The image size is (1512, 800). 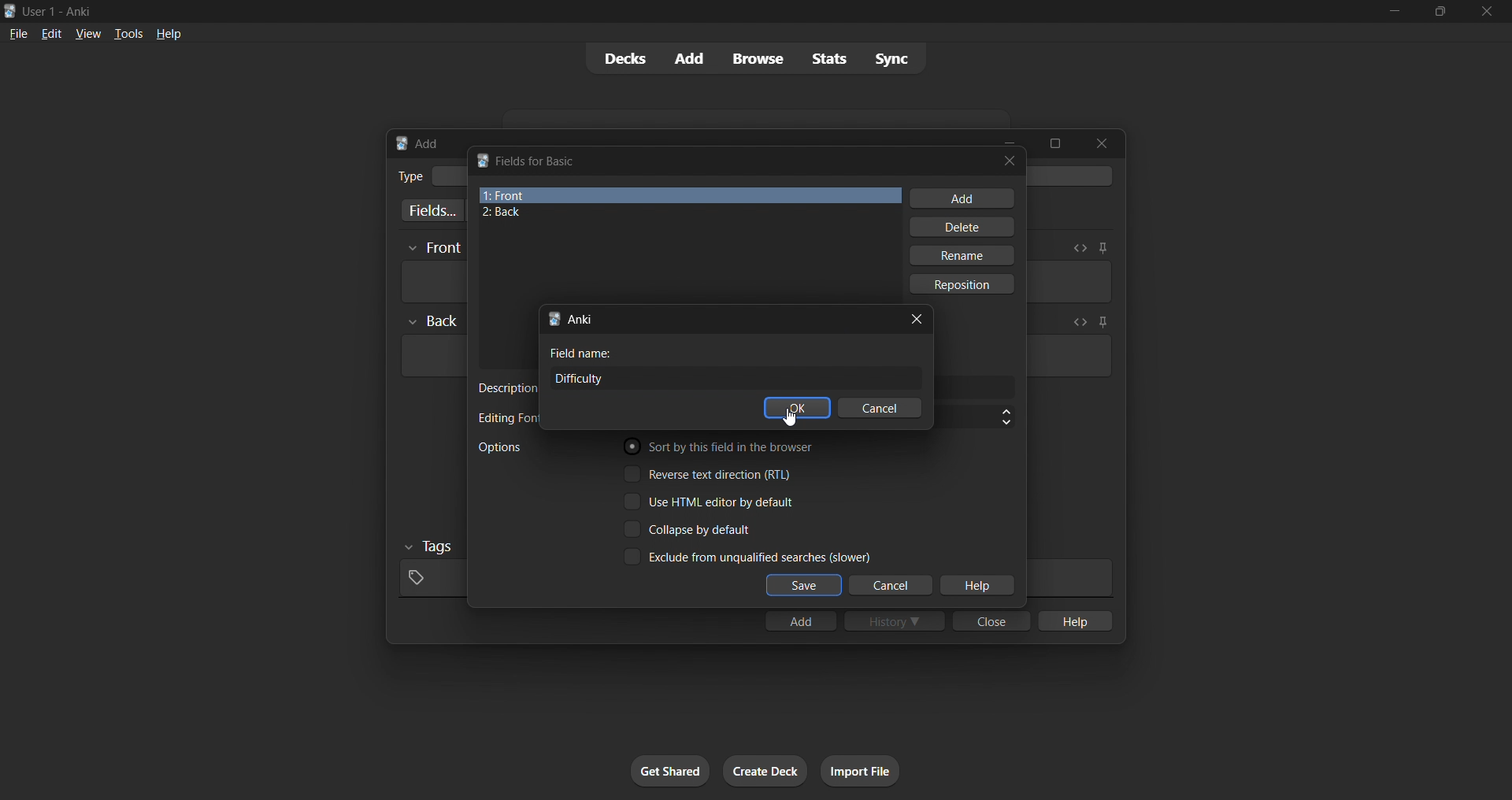 I want to click on help, so click(x=1073, y=620).